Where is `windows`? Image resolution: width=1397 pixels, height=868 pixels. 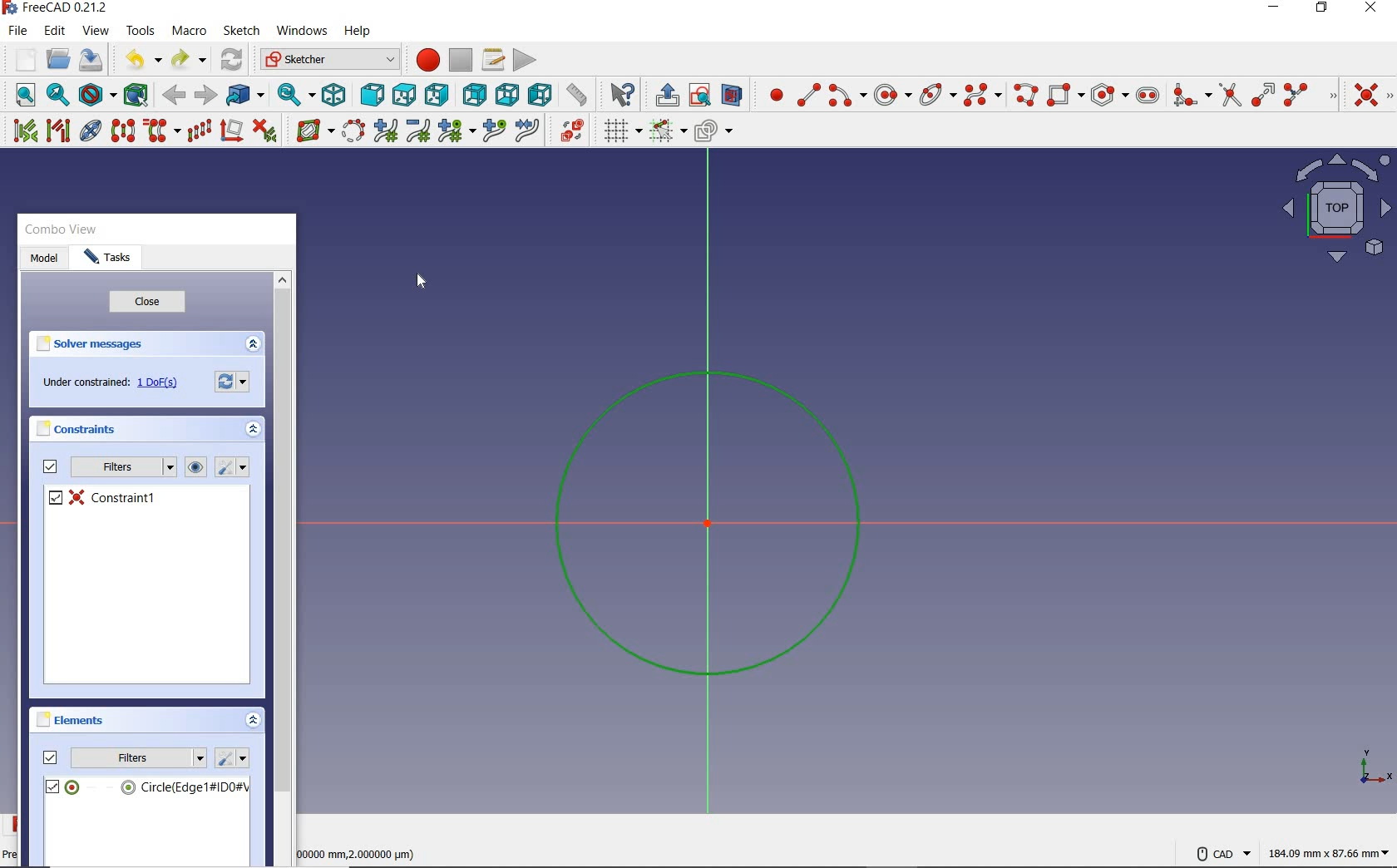
windows is located at coordinates (304, 31).